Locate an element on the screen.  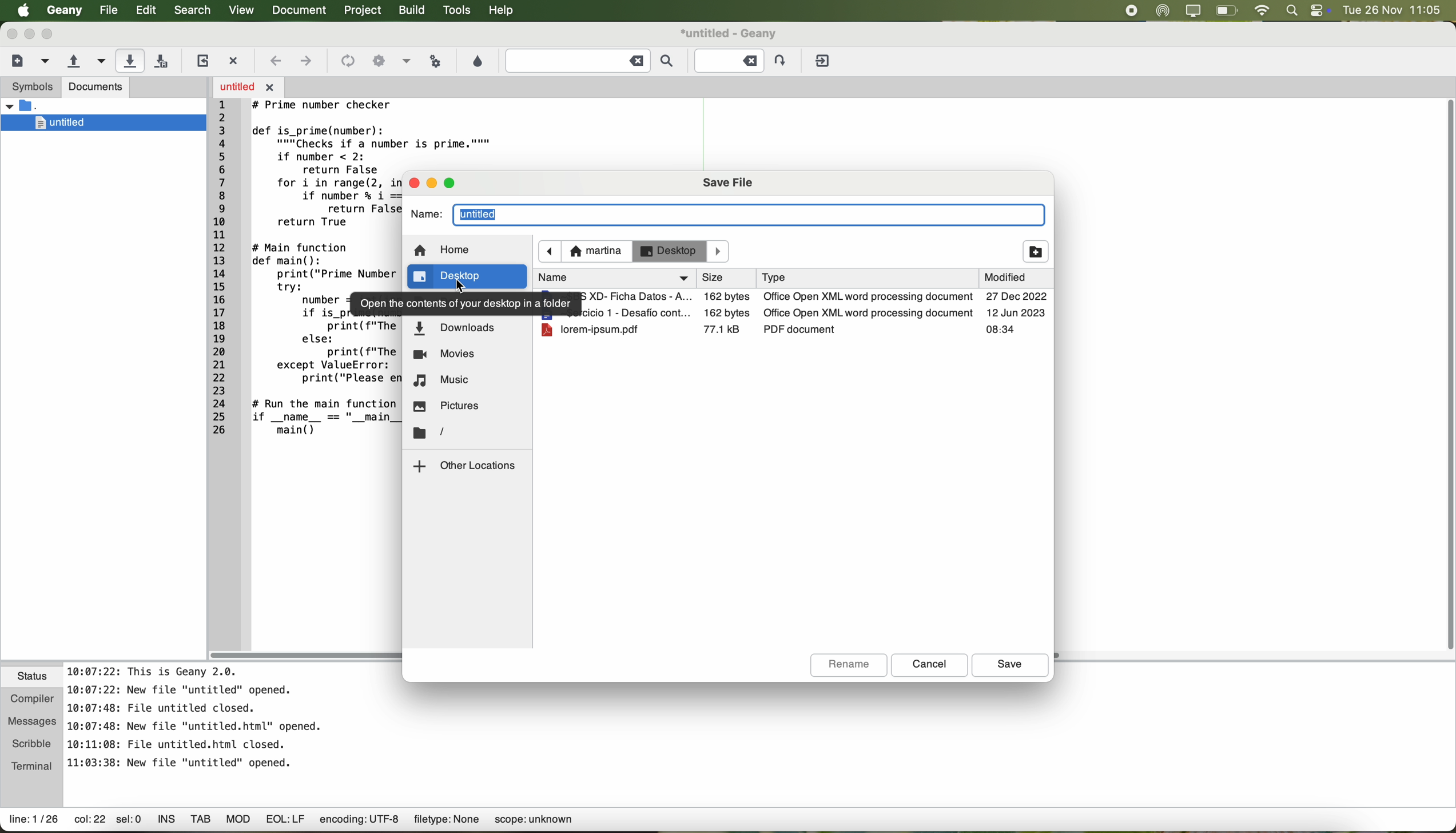
pictures is located at coordinates (450, 406).